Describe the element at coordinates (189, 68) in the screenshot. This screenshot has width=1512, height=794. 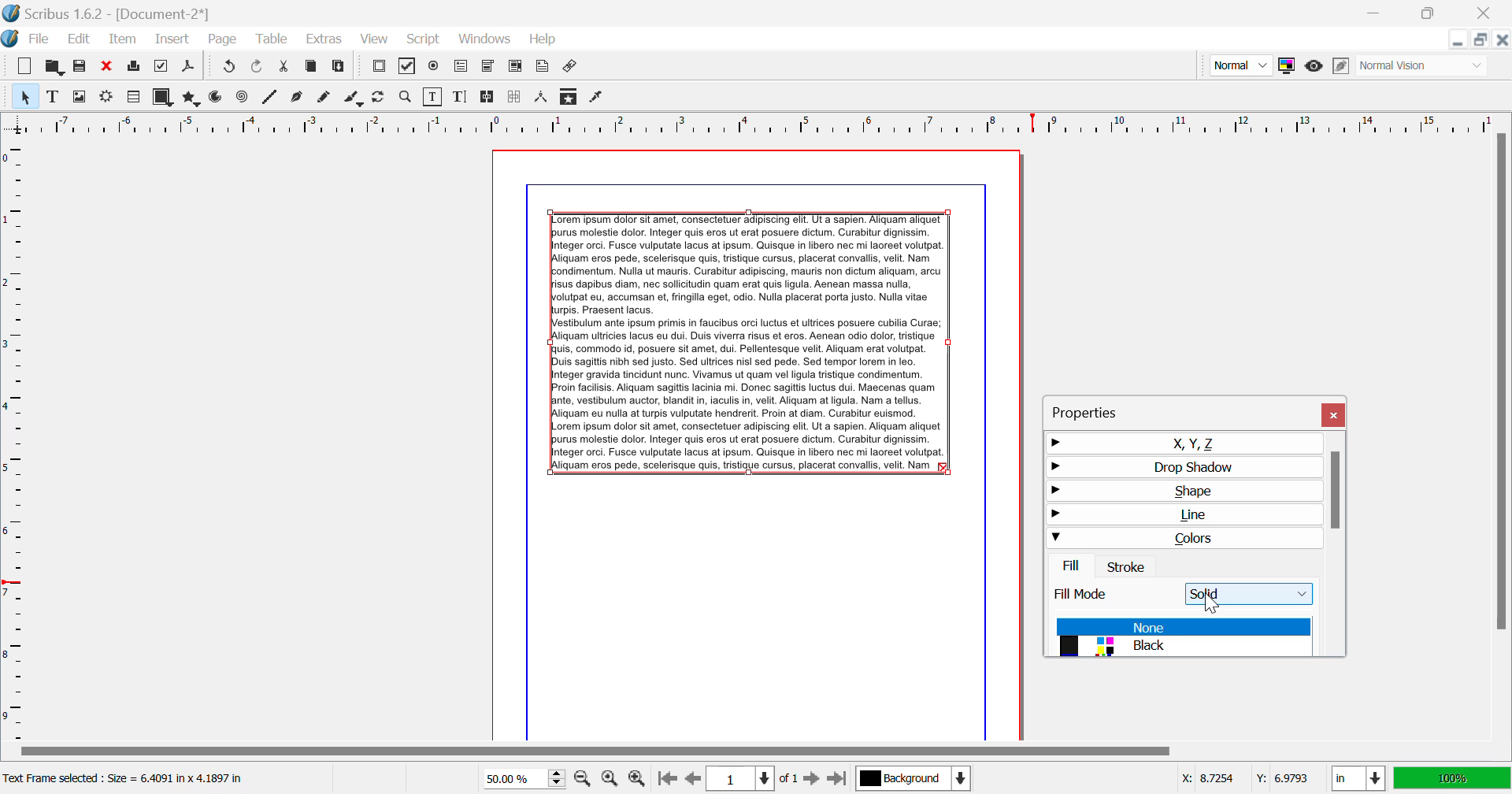
I see `Save as PDF` at that location.